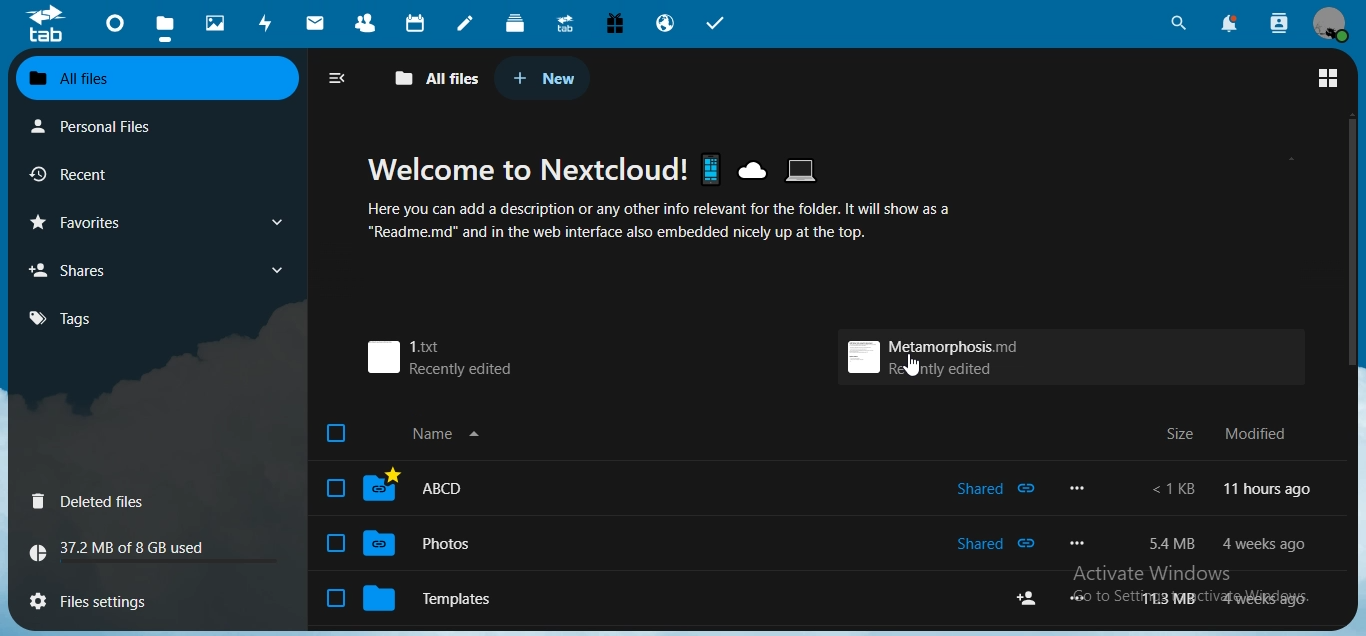  Describe the element at coordinates (265, 25) in the screenshot. I see `activity` at that location.